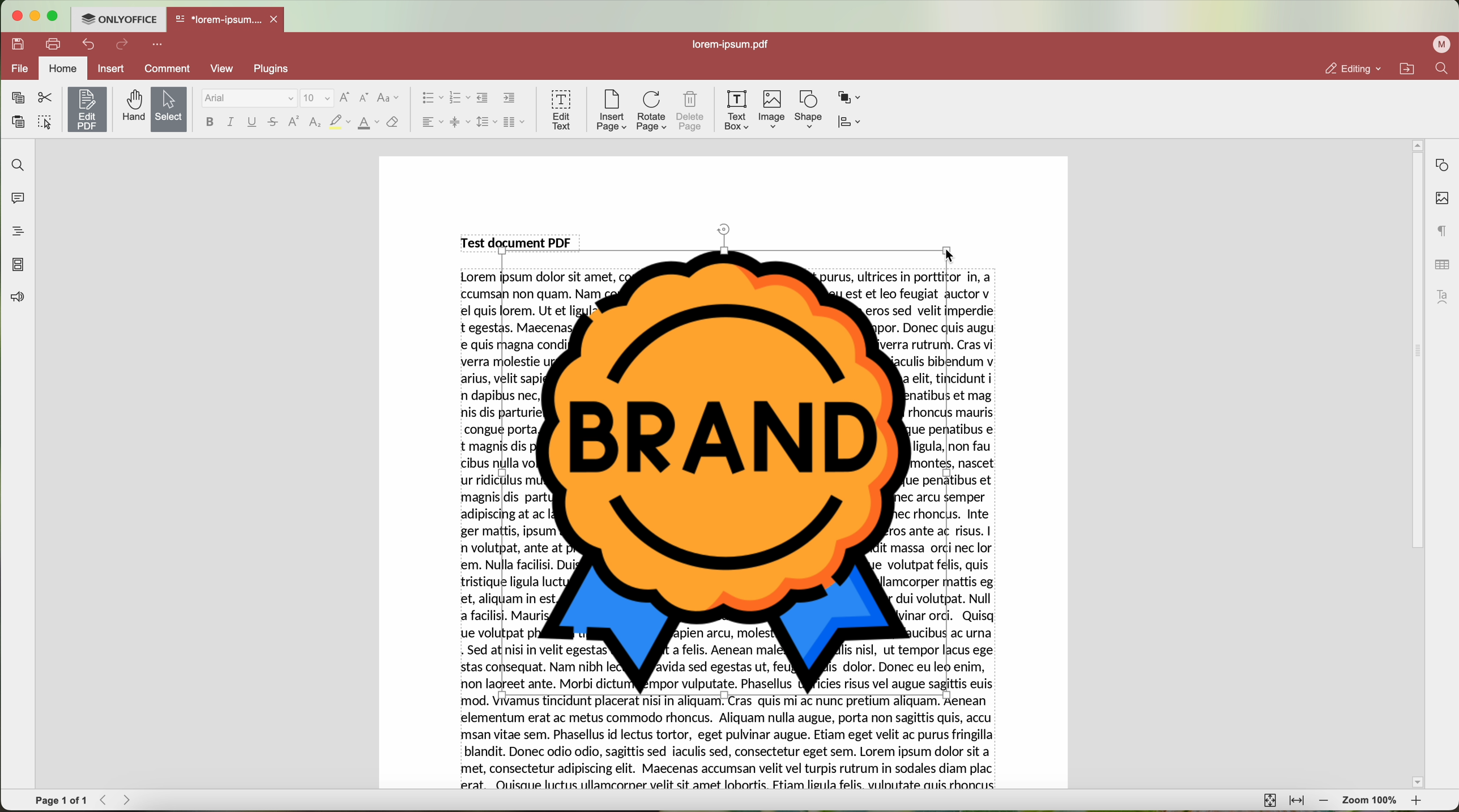  I want to click on find, so click(1441, 68).